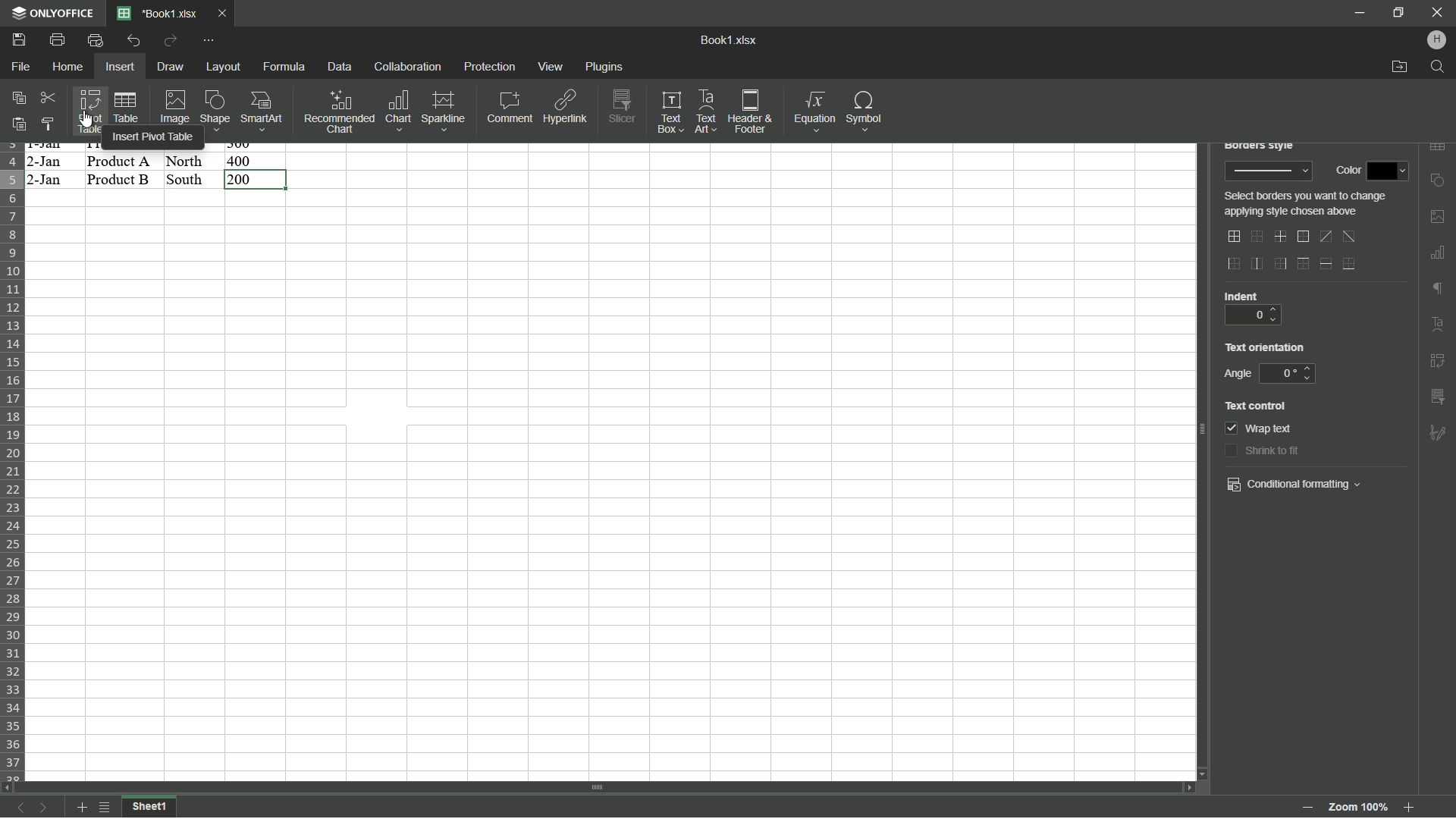  What do you see at coordinates (1438, 395) in the screenshot?
I see `insert slicer` at bounding box center [1438, 395].